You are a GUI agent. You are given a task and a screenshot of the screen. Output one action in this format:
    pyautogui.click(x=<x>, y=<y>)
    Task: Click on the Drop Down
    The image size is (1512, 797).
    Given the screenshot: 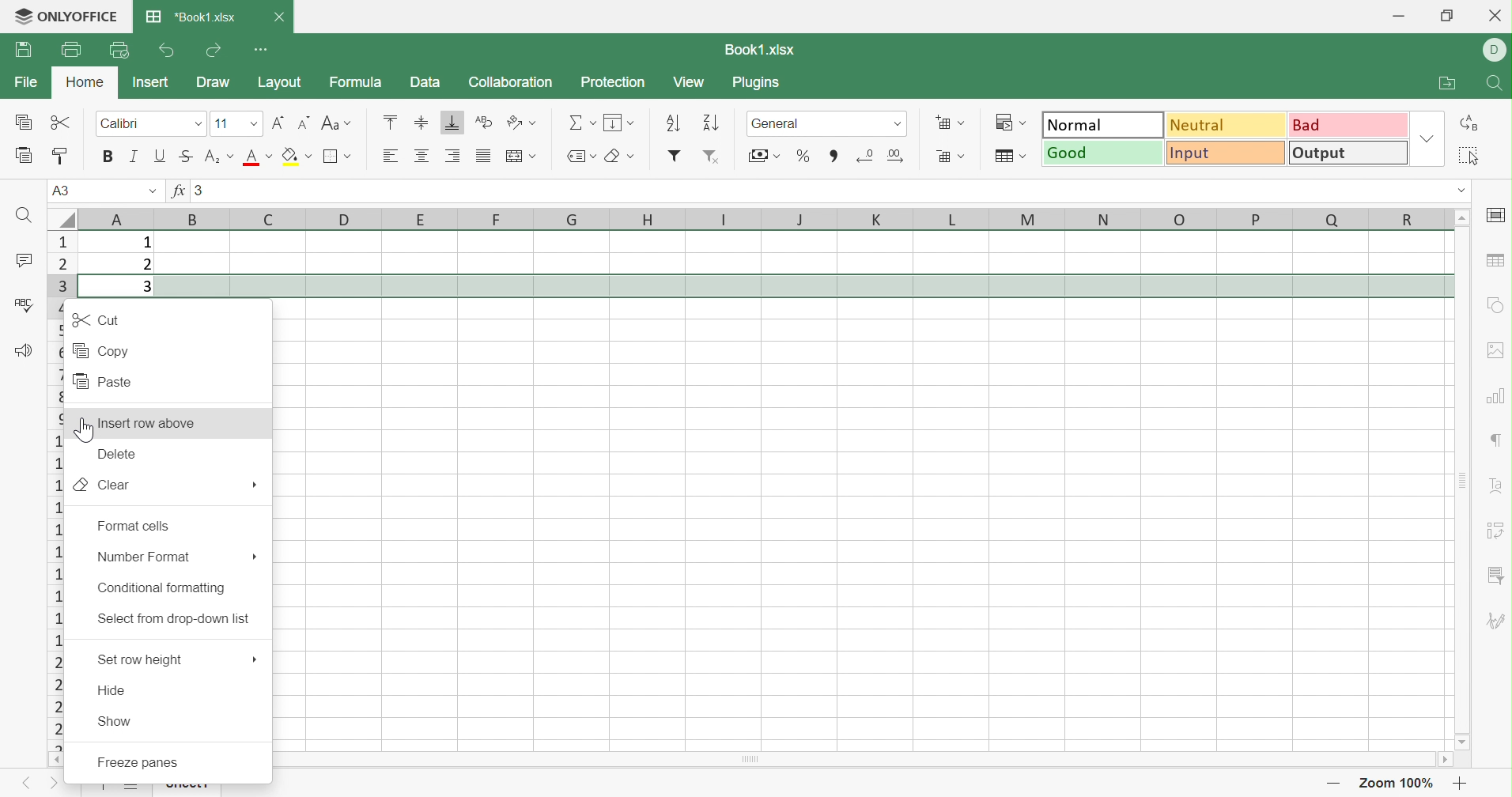 What is the action you would take?
    pyautogui.click(x=231, y=155)
    